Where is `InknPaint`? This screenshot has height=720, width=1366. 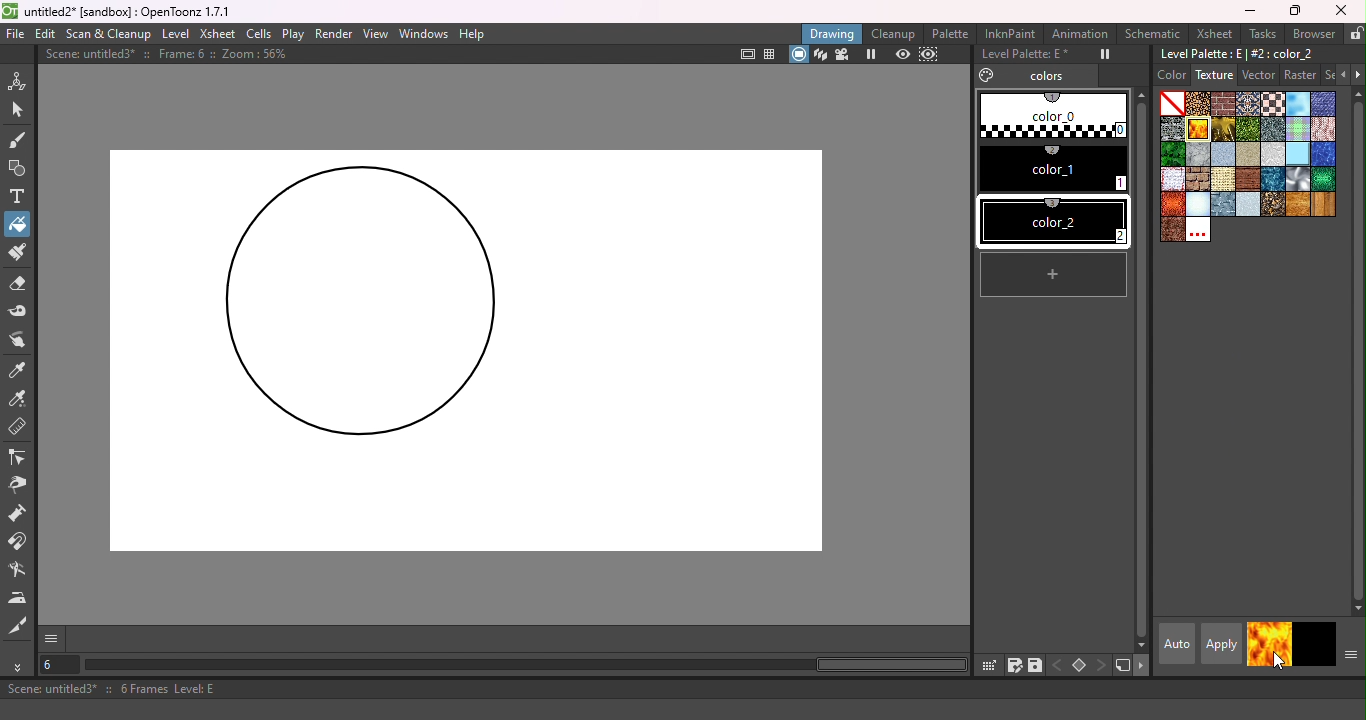 InknPaint is located at coordinates (1013, 33).